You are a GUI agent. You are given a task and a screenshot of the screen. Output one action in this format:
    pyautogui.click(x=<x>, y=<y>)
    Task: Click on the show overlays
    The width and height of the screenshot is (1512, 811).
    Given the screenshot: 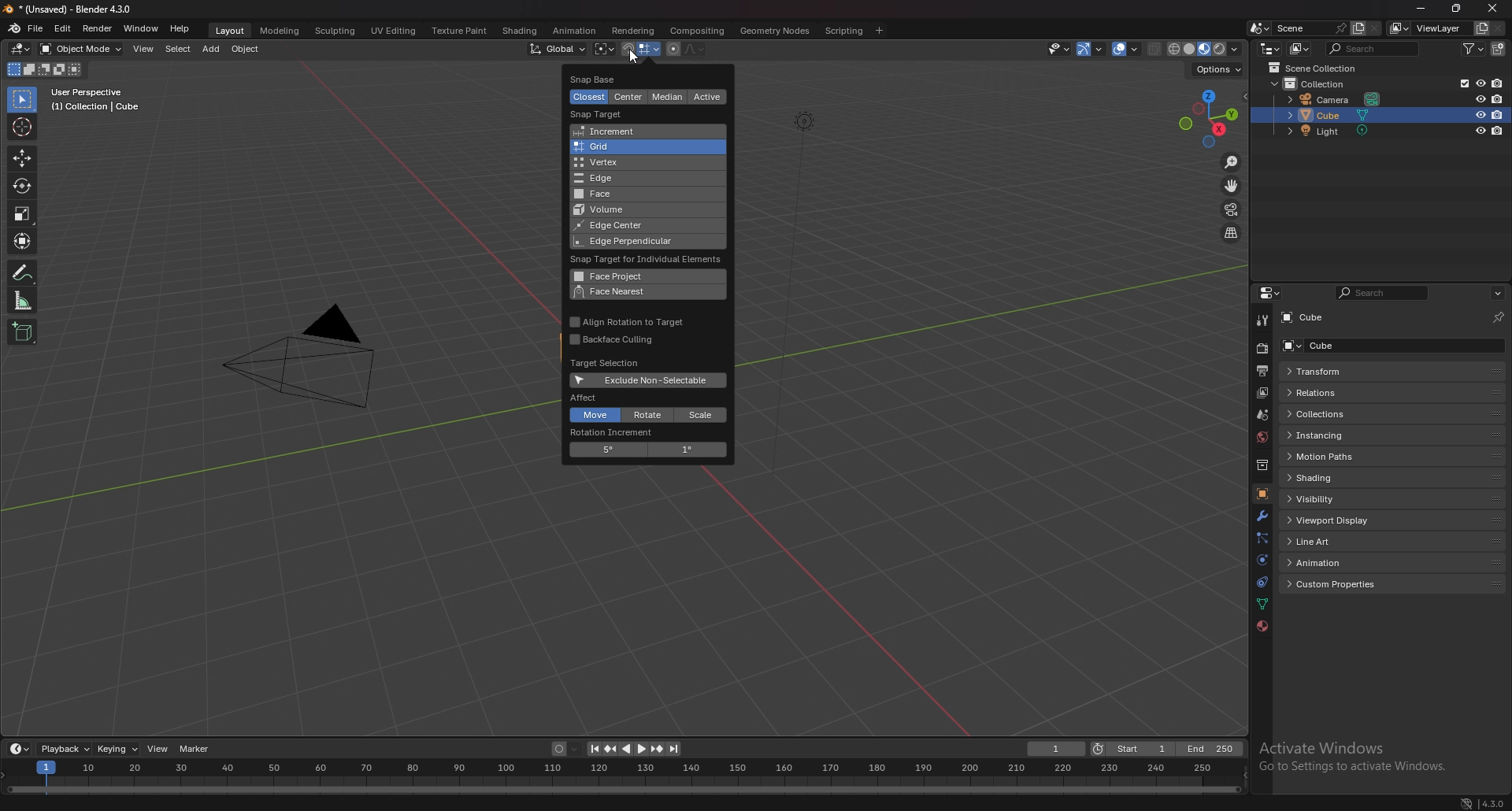 What is the action you would take?
    pyautogui.click(x=1127, y=49)
    